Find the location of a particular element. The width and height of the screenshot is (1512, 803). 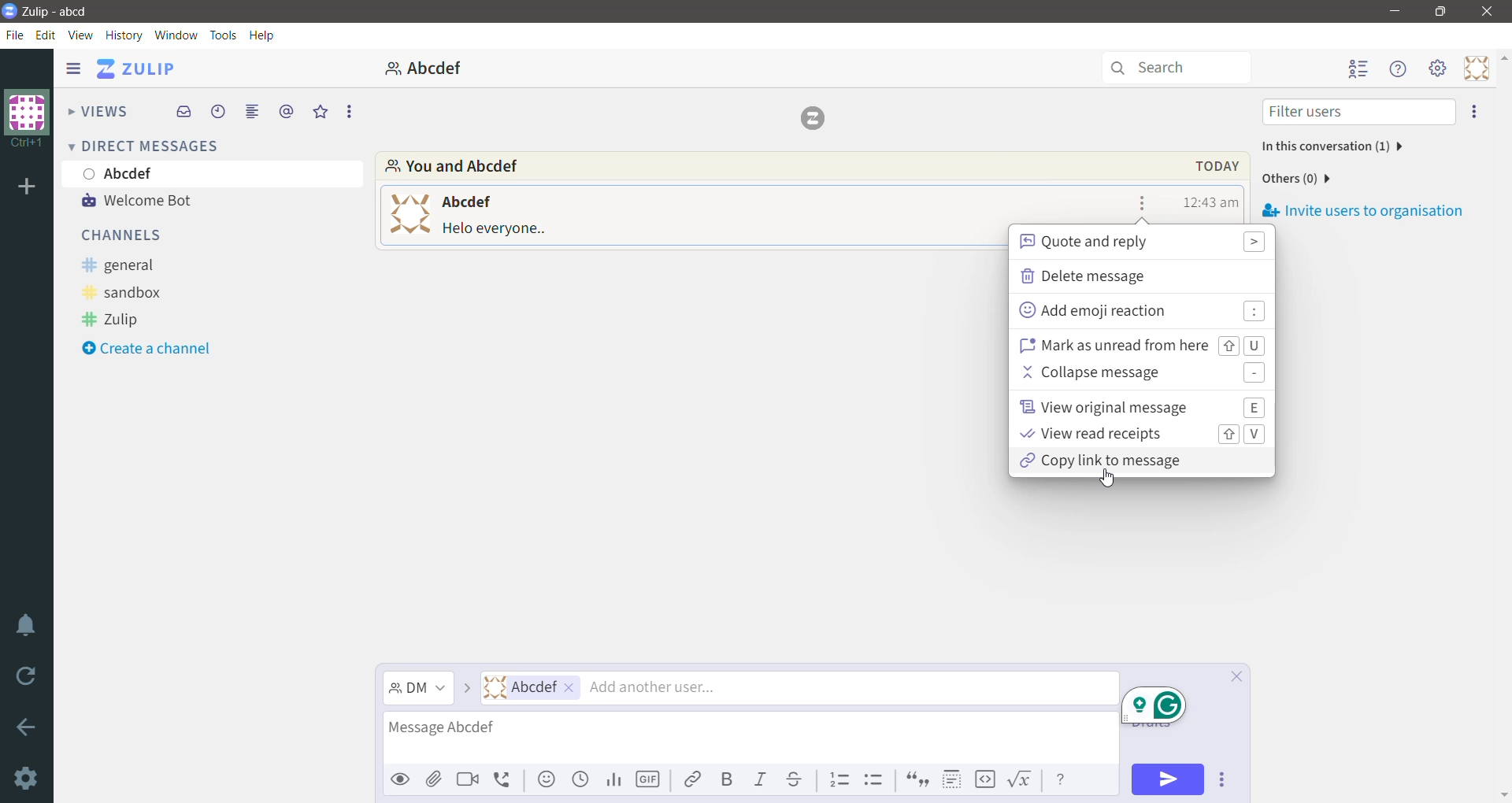

Participants in this conversation is located at coordinates (1330, 146).